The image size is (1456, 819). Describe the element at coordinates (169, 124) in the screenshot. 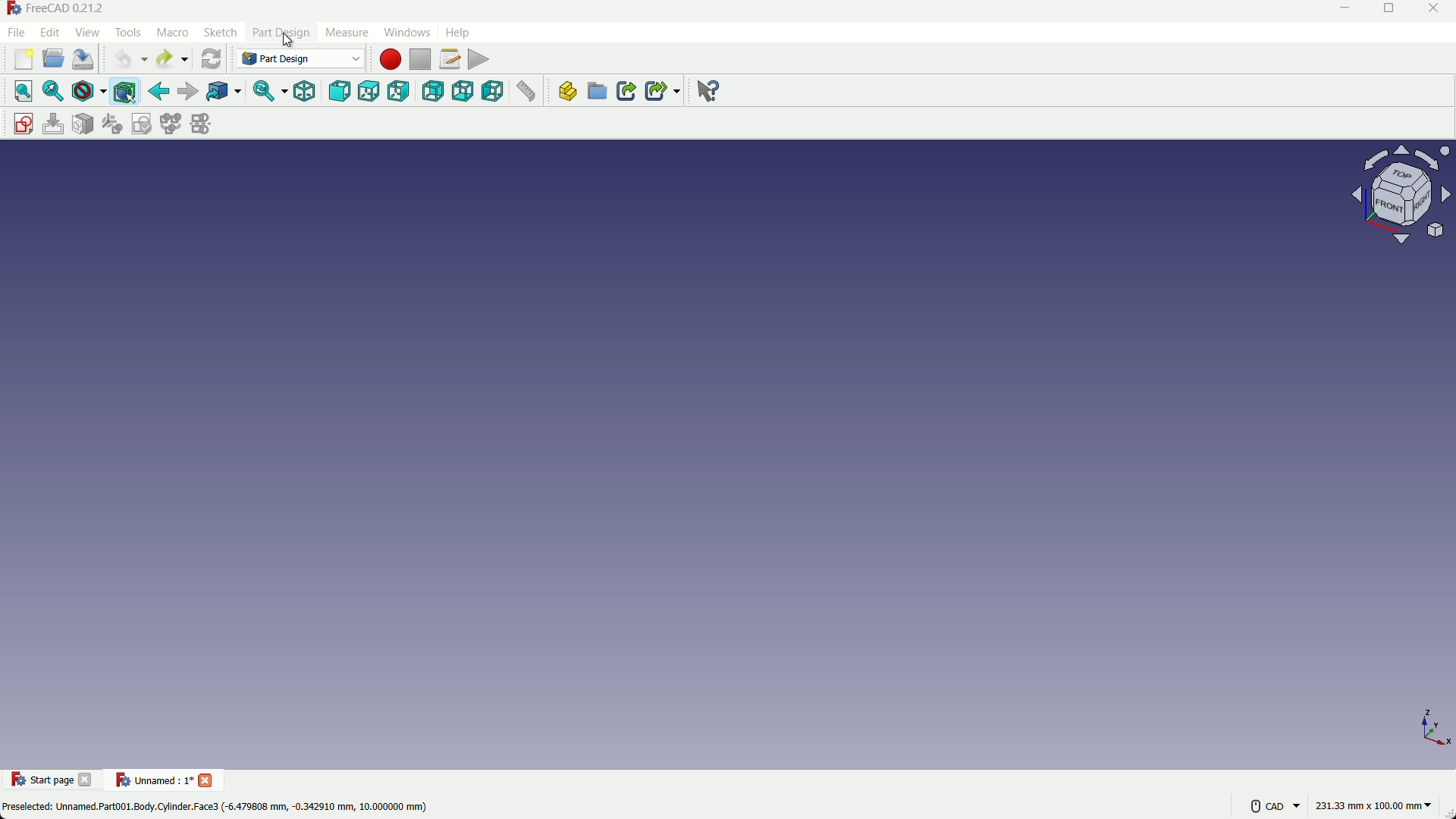

I see `merge sketch` at that location.